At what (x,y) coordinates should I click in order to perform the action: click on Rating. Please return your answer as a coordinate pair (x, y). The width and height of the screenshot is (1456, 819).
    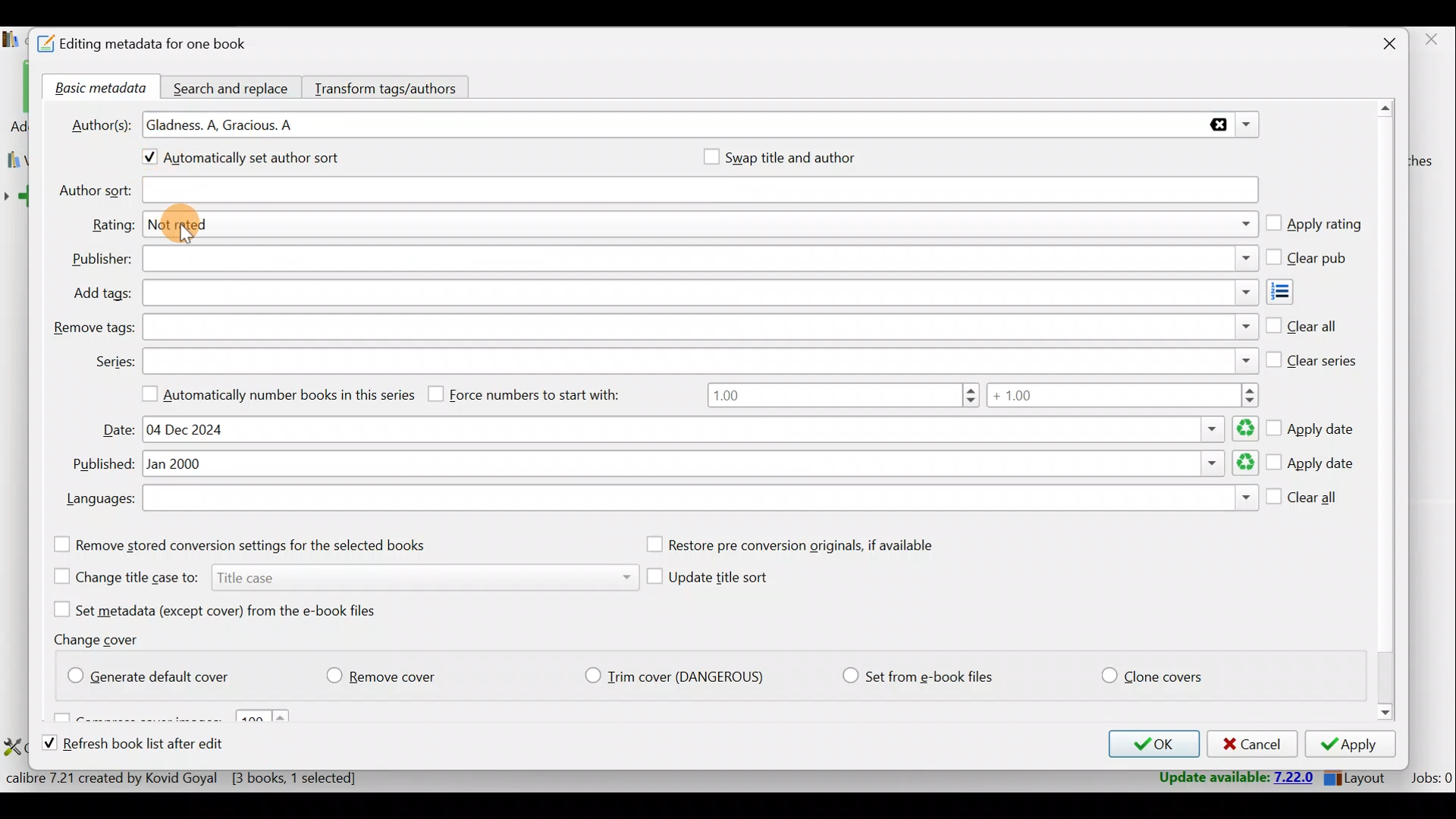
    Looking at the image, I should click on (703, 227).